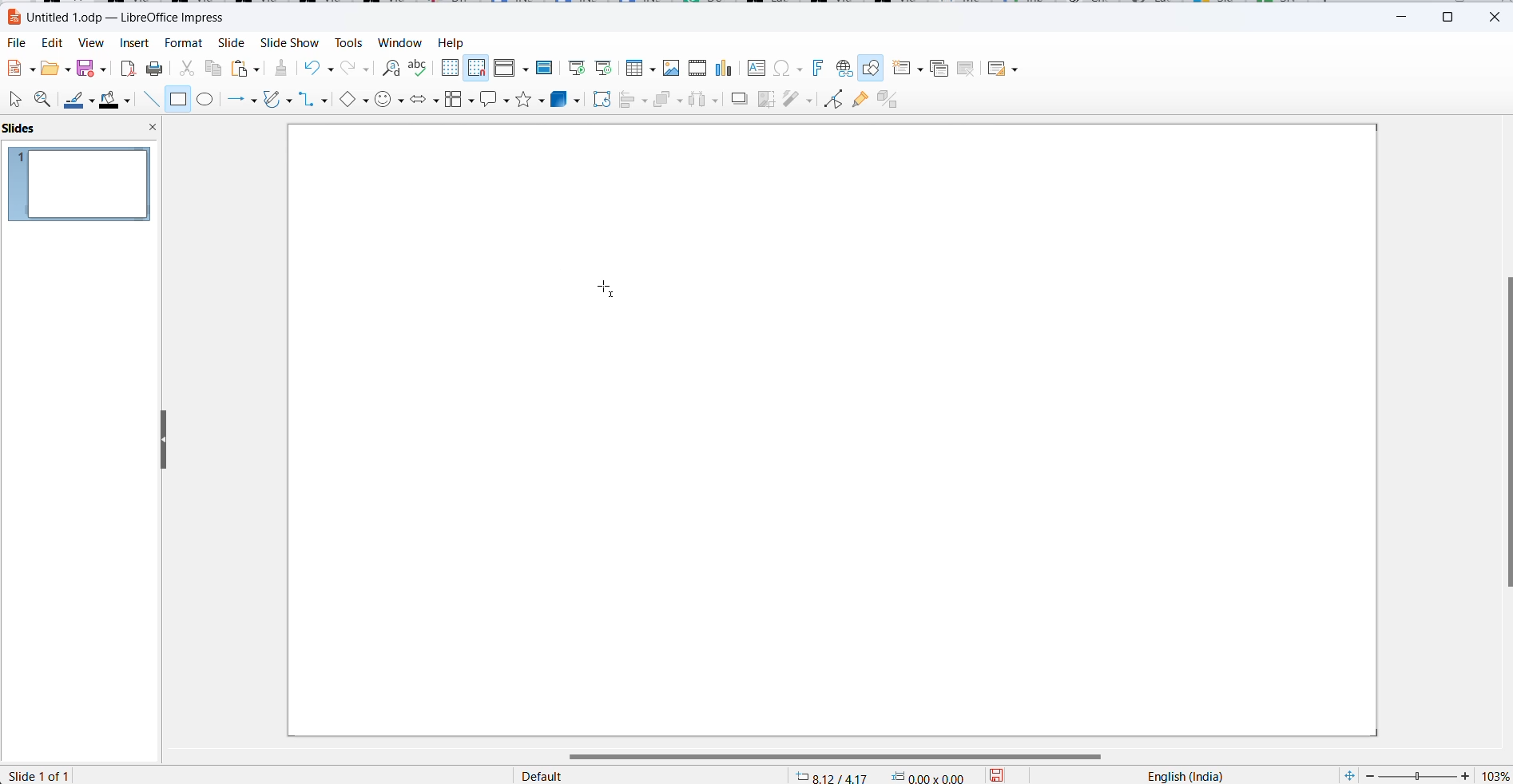 The height and width of the screenshot is (784, 1513). I want to click on distribute objects, so click(704, 101).